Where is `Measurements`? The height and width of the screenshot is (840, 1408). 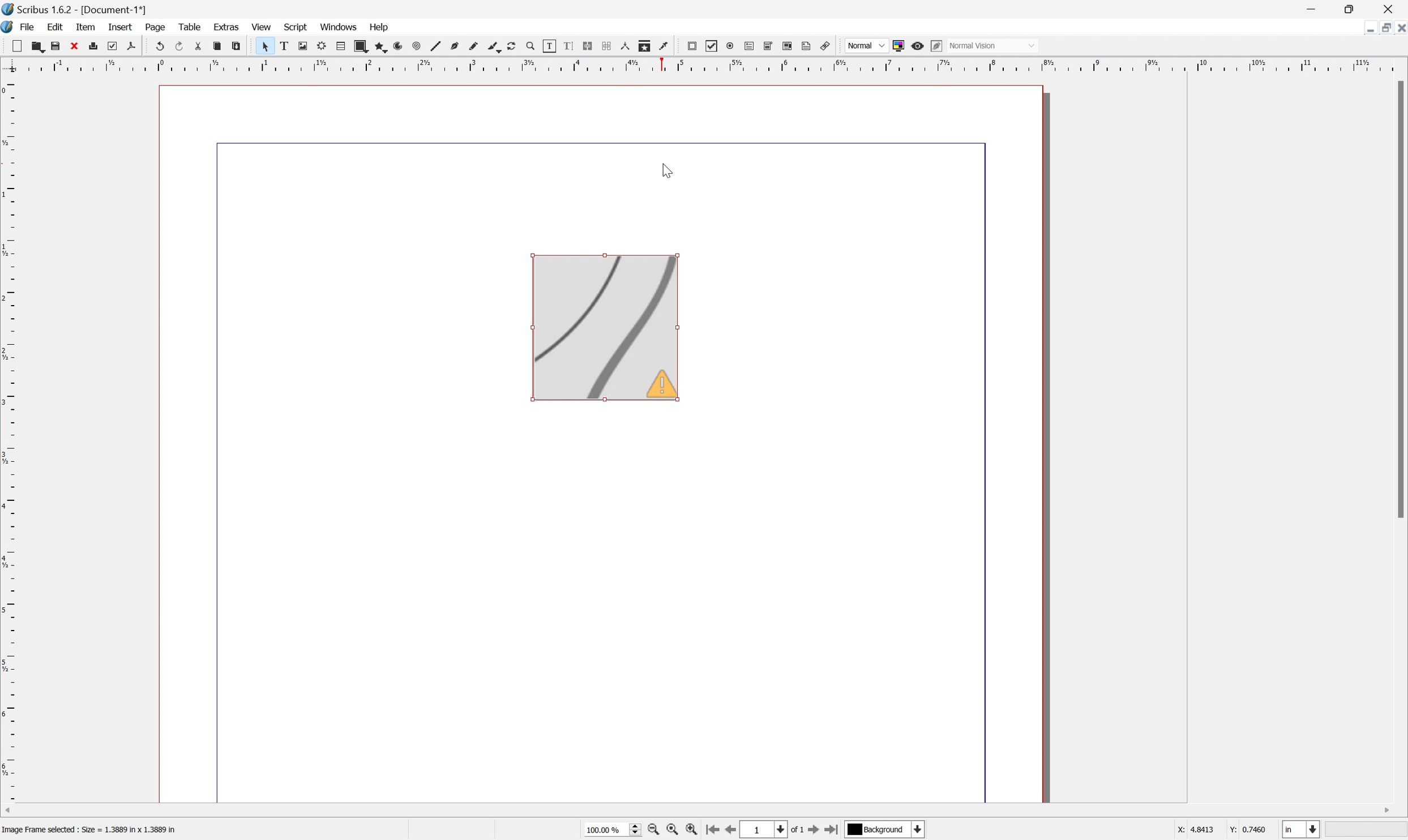
Measurements is located at coordinates (626, 47).